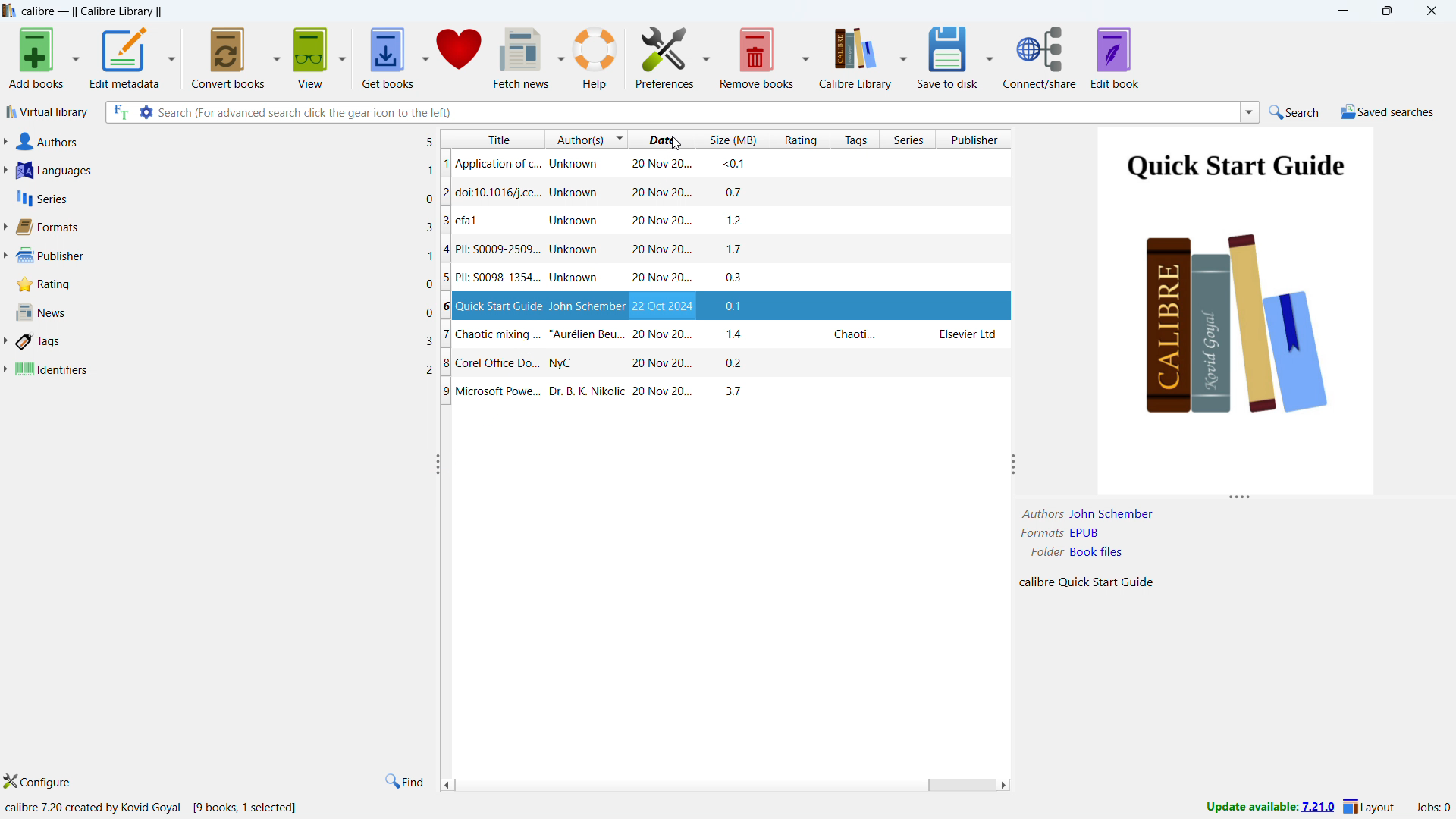 Image resolution: width=1456 pixels, height=819 pixels. Describe the element at coordinates (741, 335) in the screenshot. I see `1.4` at that location.